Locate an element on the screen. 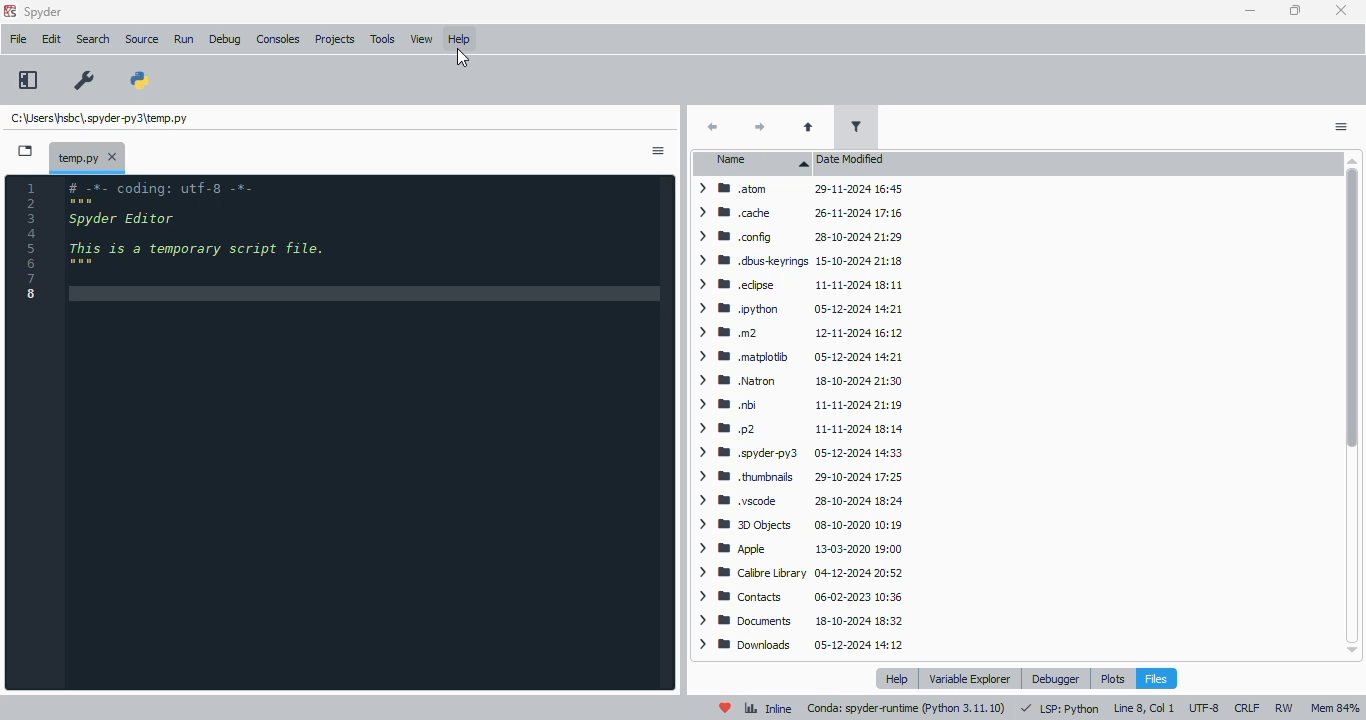  > MW cache 26-11-2024 17:16 is located at coordinates (797, 211).